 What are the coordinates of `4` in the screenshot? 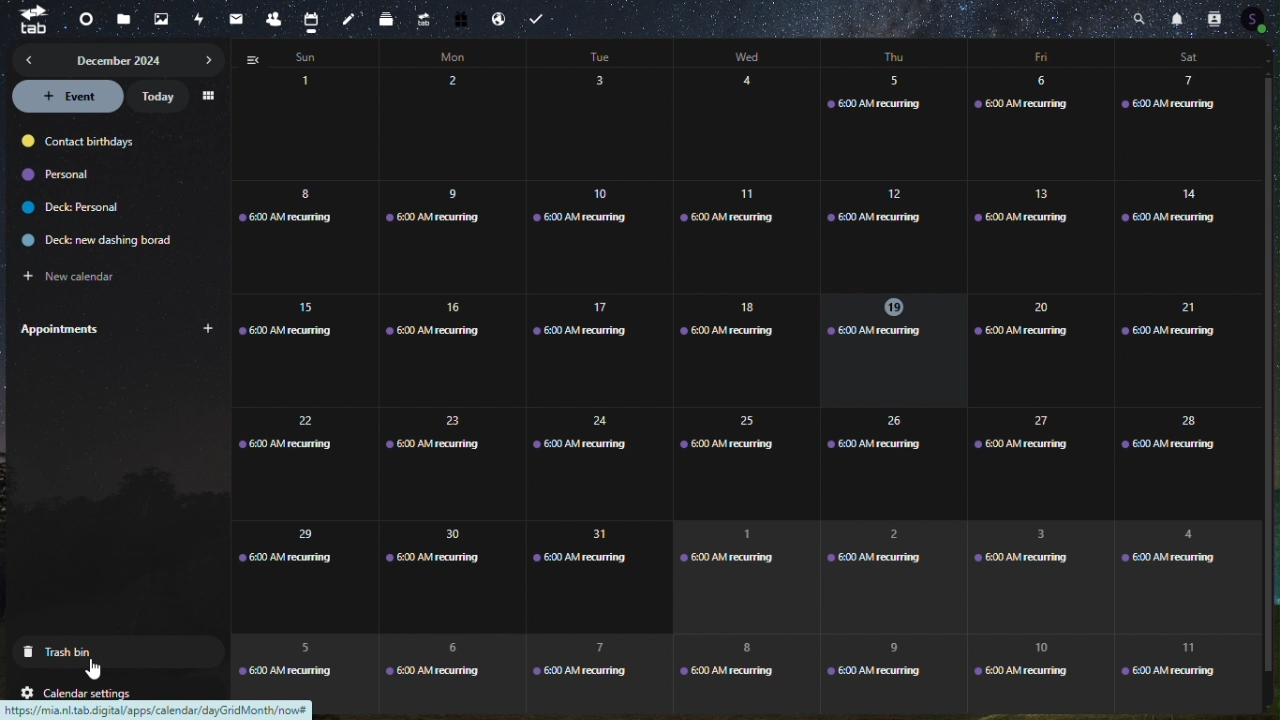 It's located at (759, 123).